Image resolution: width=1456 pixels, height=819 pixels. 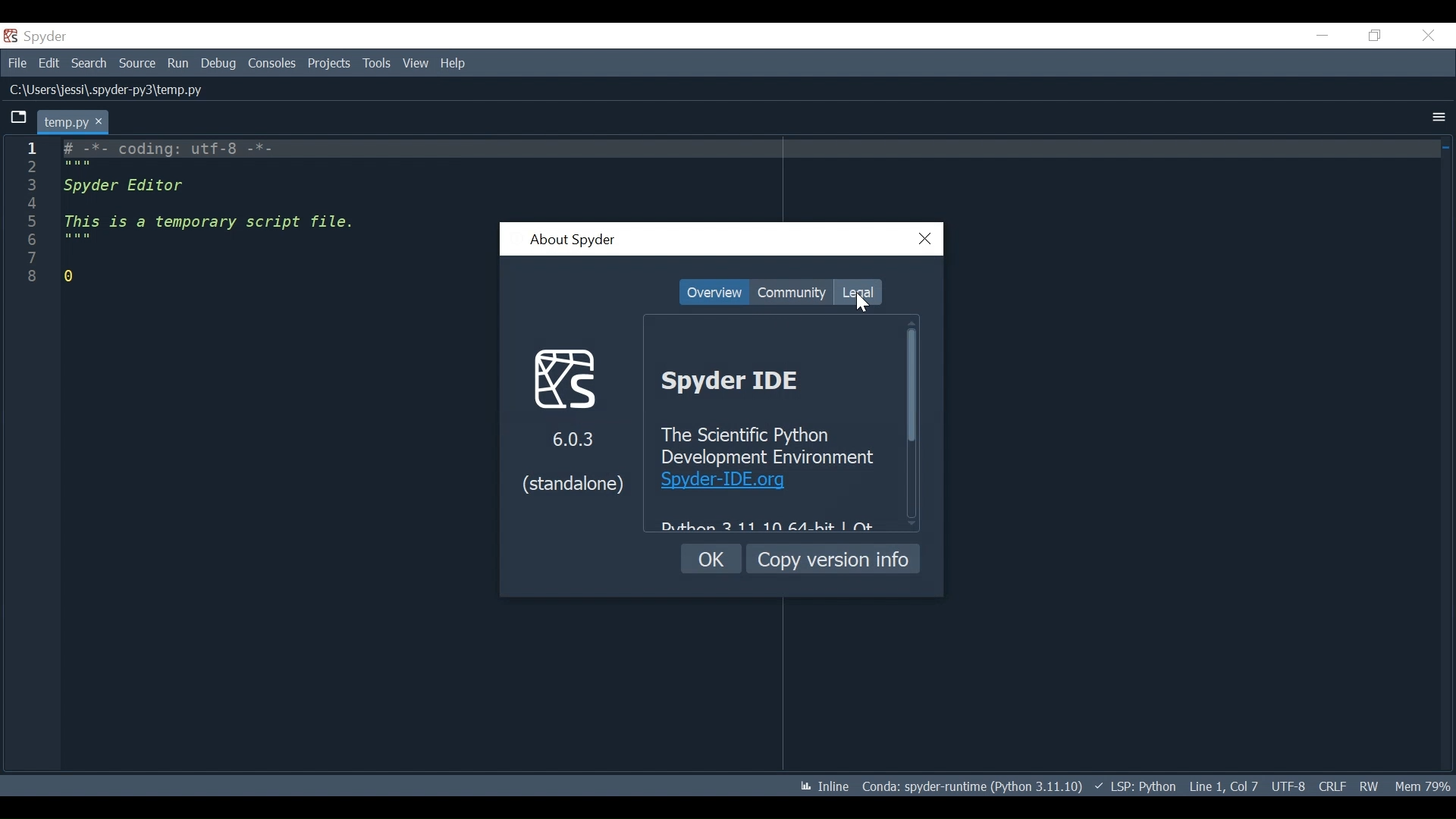 What do you see at coordinates (1426, 786) in the screenshot?
I see `‘Mem 80%` at bounding box center [1426, 786].